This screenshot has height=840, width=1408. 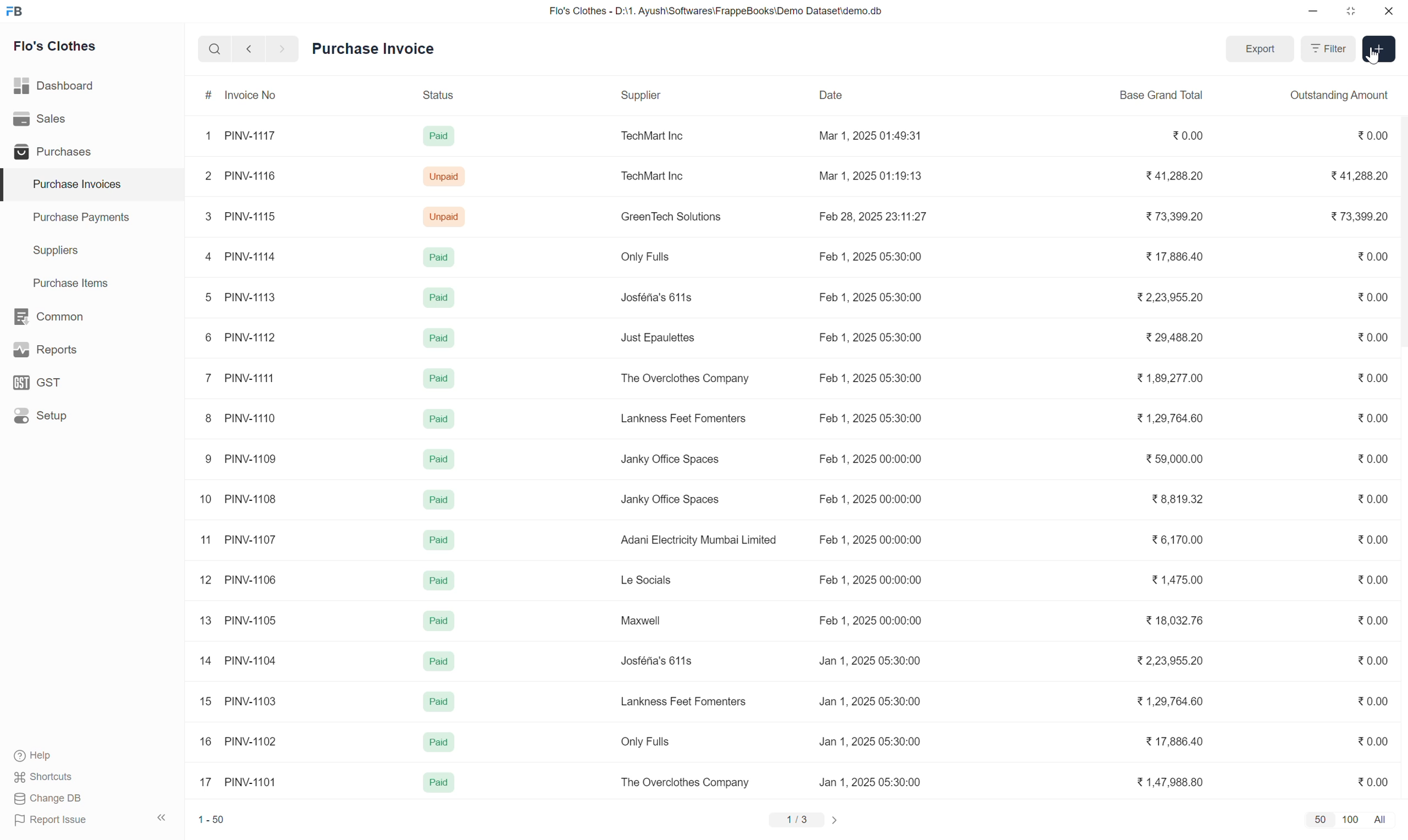 I want to click on Jan 1, 2025 05:30:00, so click(x=871, y=741).